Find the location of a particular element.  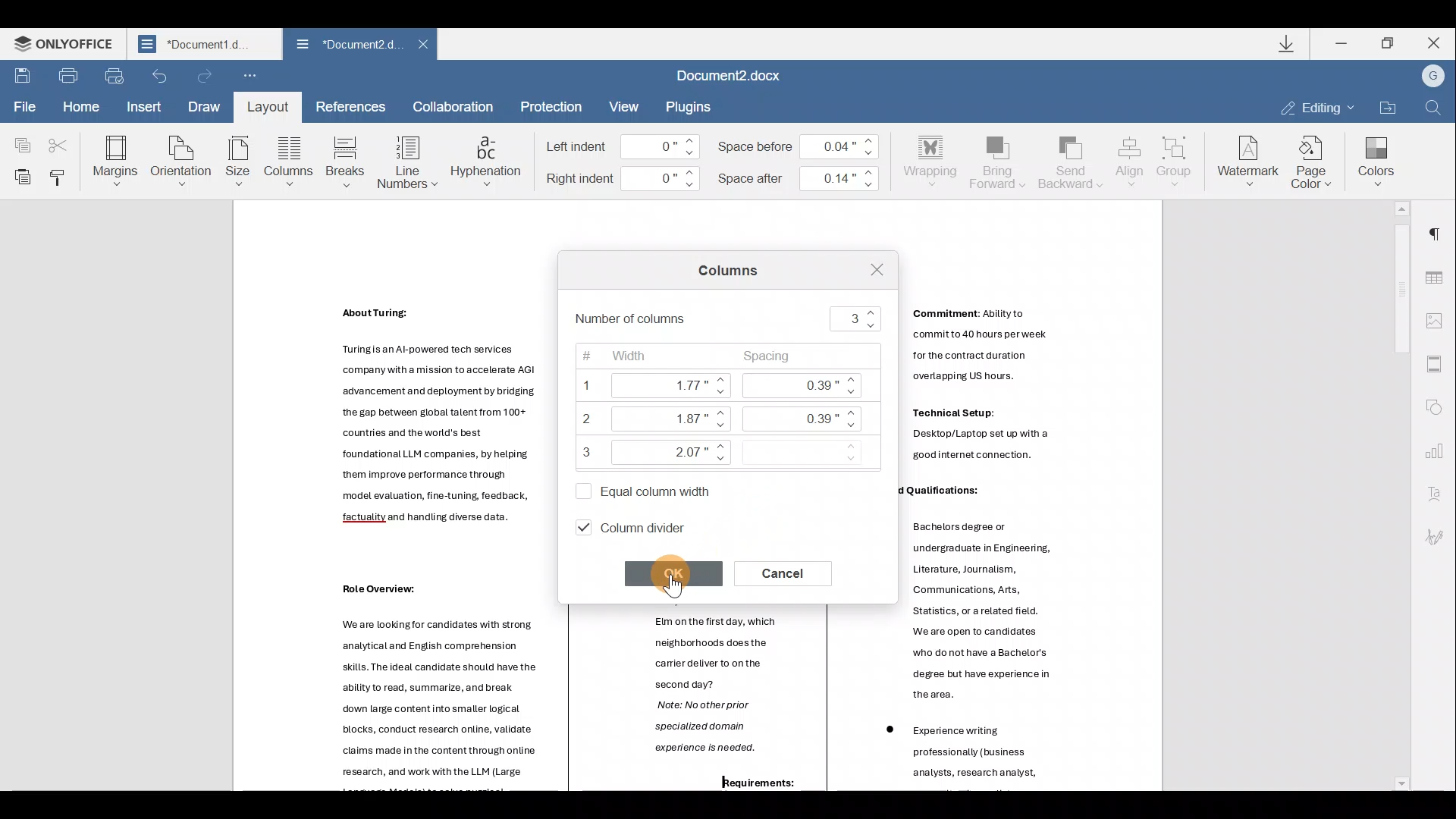

Group is located at coordinates (1177, 157).